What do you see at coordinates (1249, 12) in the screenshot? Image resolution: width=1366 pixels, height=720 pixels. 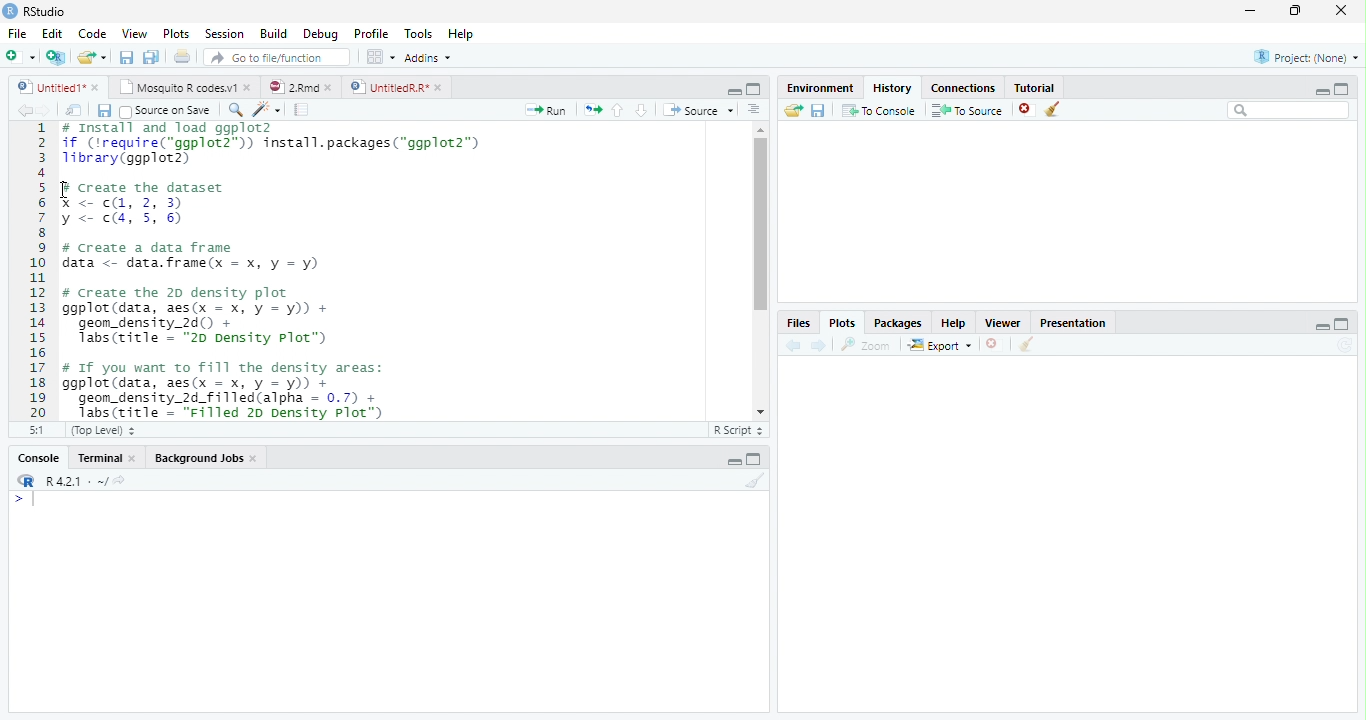 I see `minimize` at bounding box center [1249, 12].